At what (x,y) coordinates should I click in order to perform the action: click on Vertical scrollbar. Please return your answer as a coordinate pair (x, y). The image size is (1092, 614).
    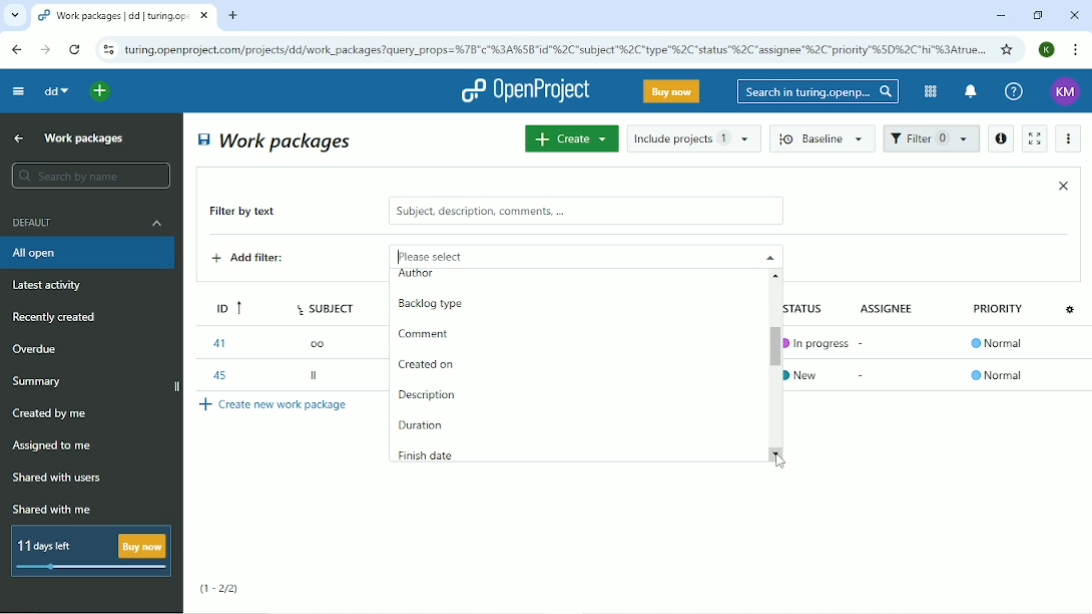
    Looking at the image, I should click on (769, 342).